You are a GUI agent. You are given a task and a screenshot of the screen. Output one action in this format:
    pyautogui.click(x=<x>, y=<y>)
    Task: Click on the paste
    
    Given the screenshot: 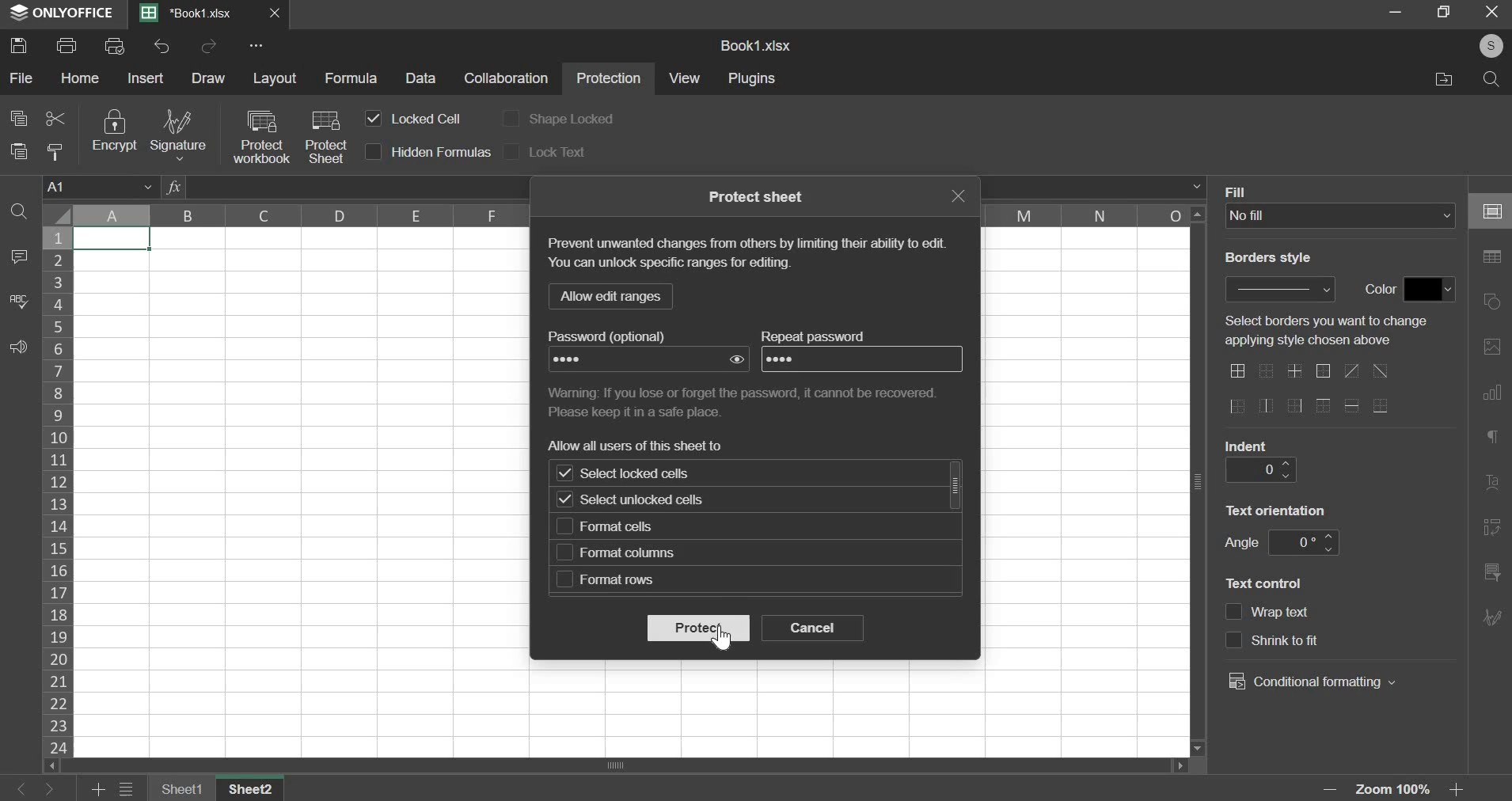 What is the action you would take?
    pyautogui.click(x=18, y=150)
    